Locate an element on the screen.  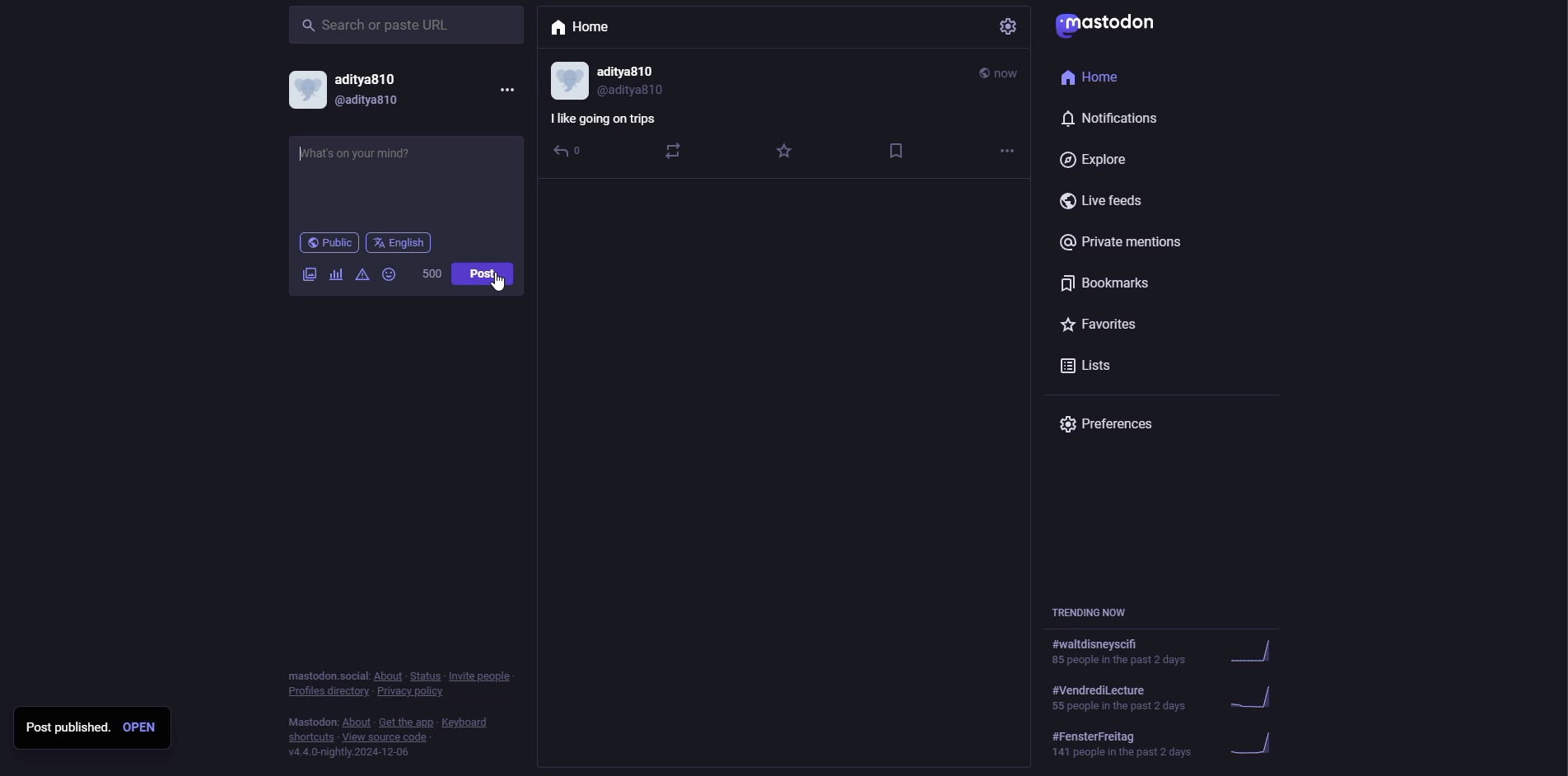
favorites is located at coordinates (1107, 326).